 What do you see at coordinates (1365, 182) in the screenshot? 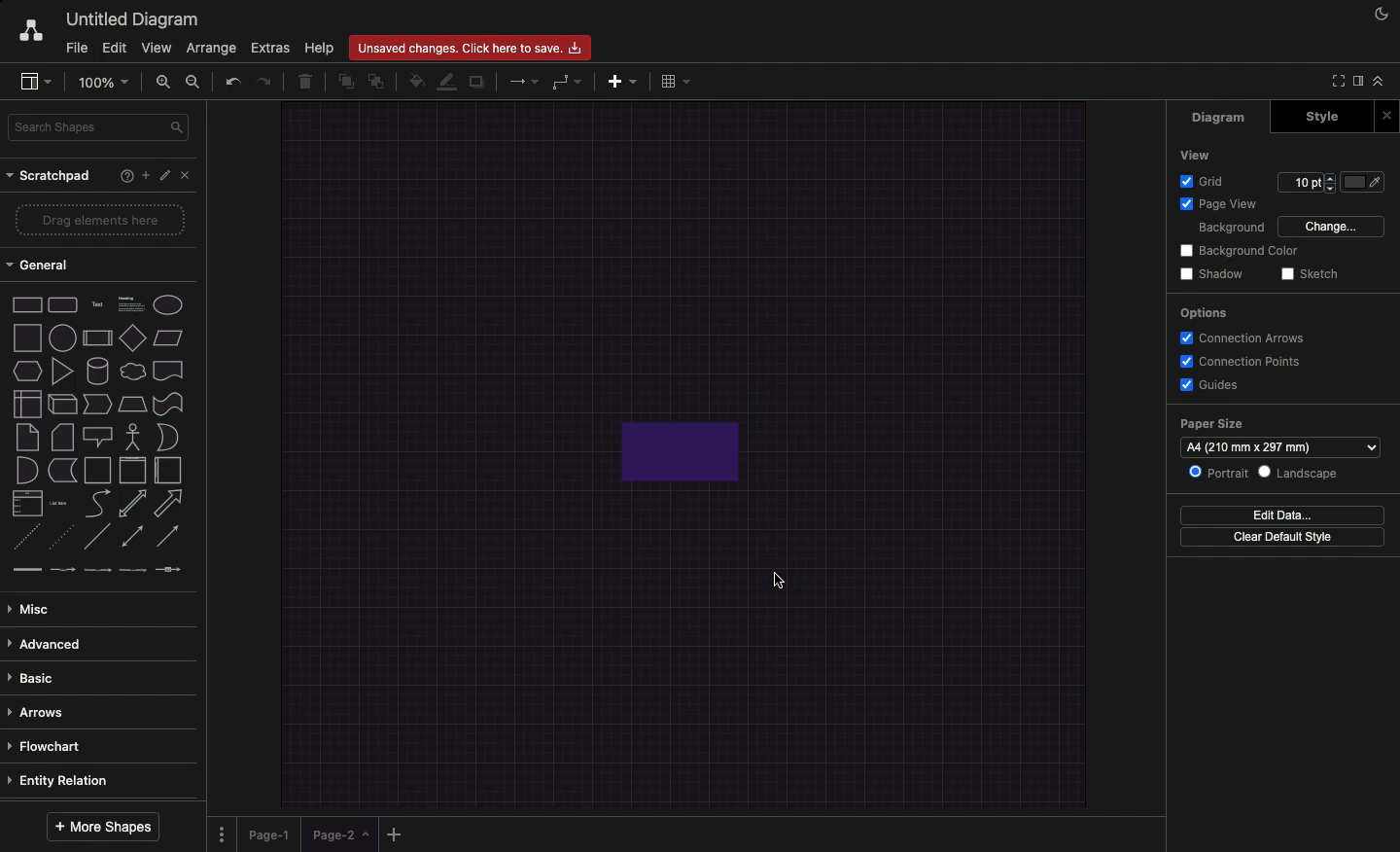
I see `Fill color` at bounding box center [1365, 182].